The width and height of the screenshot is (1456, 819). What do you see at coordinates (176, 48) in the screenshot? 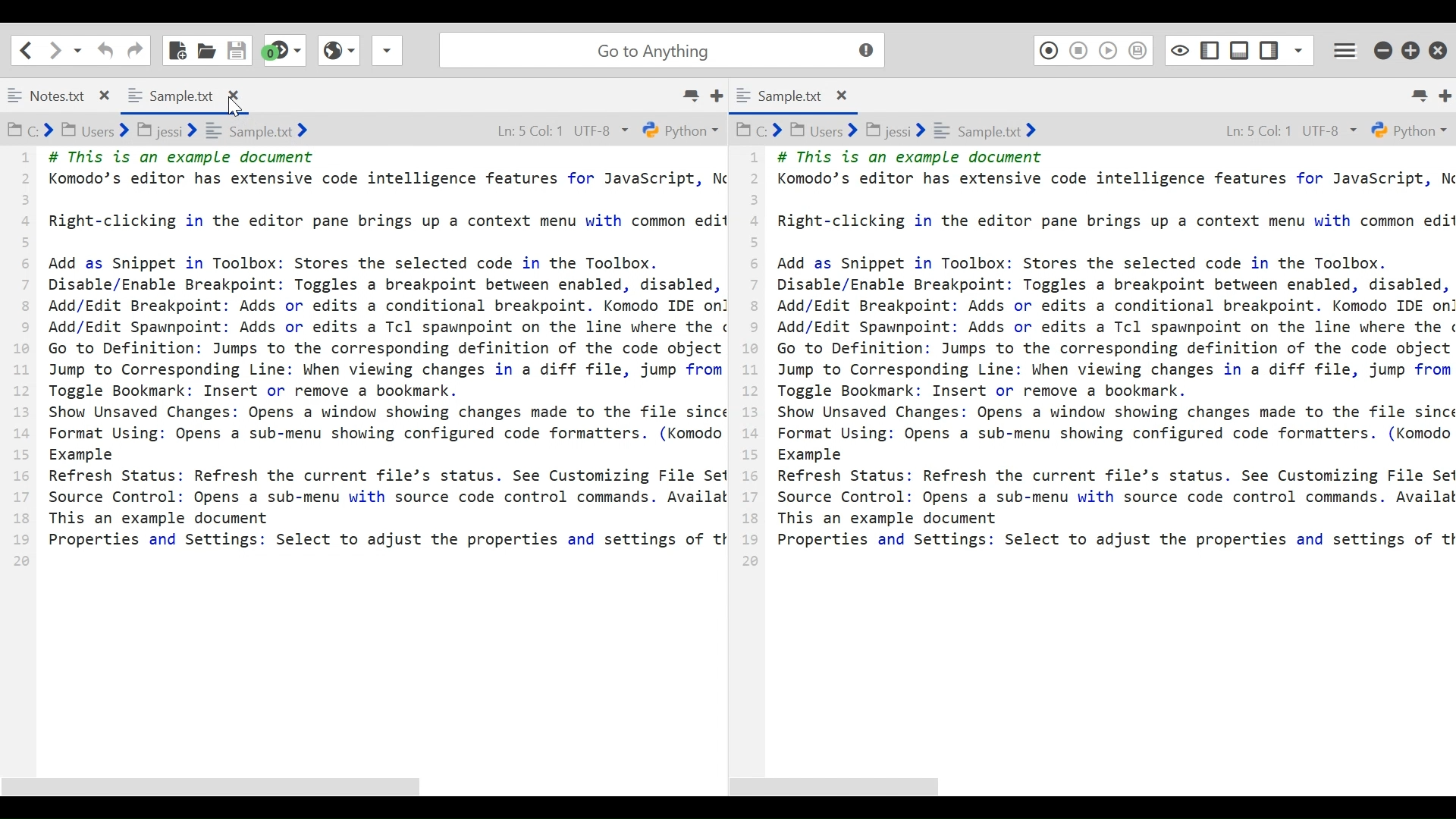
I see `New File` at bounding box center [176, 48].